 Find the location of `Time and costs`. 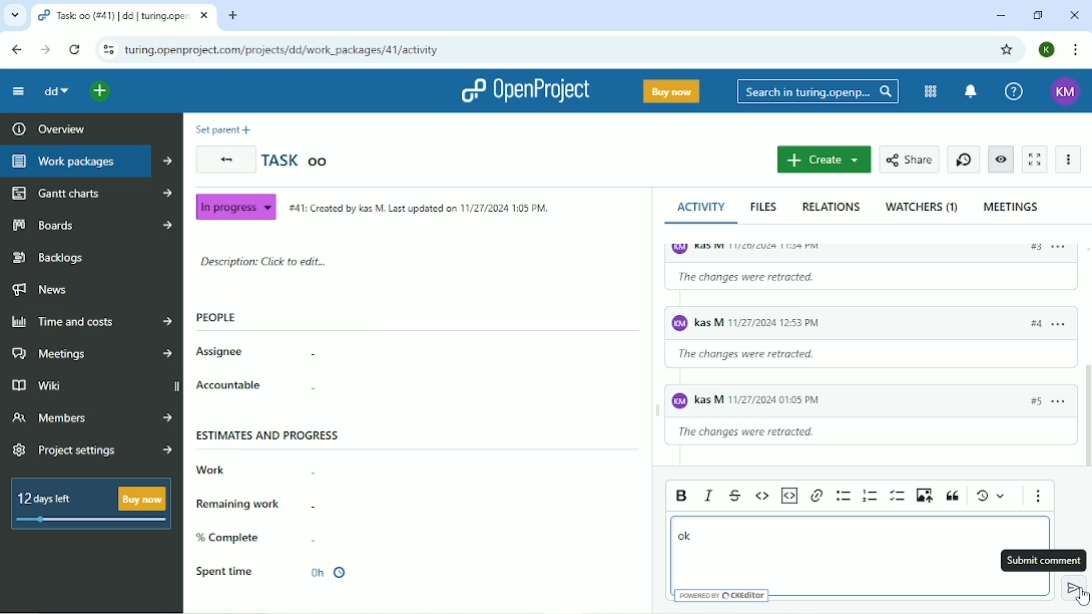

Time and costs is located at coordinates (90, 321).